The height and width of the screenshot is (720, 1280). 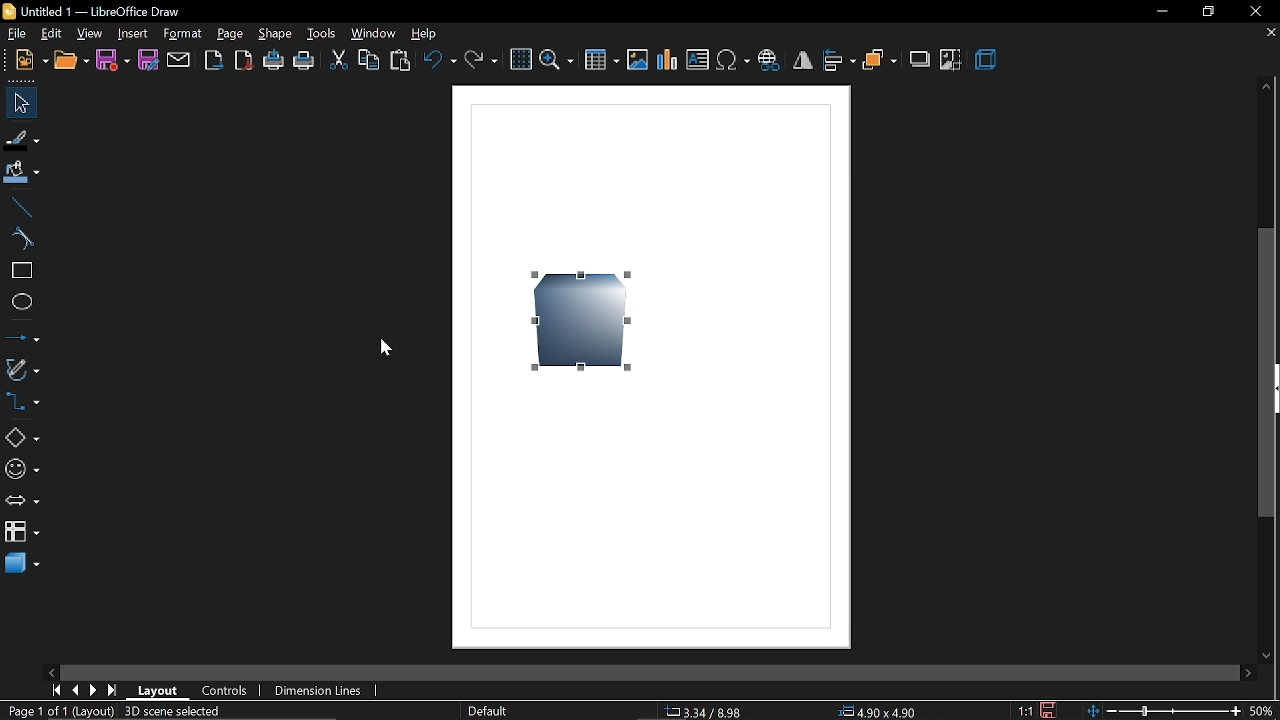 I want to click on scaling factor, so click(x=1024, y=711).